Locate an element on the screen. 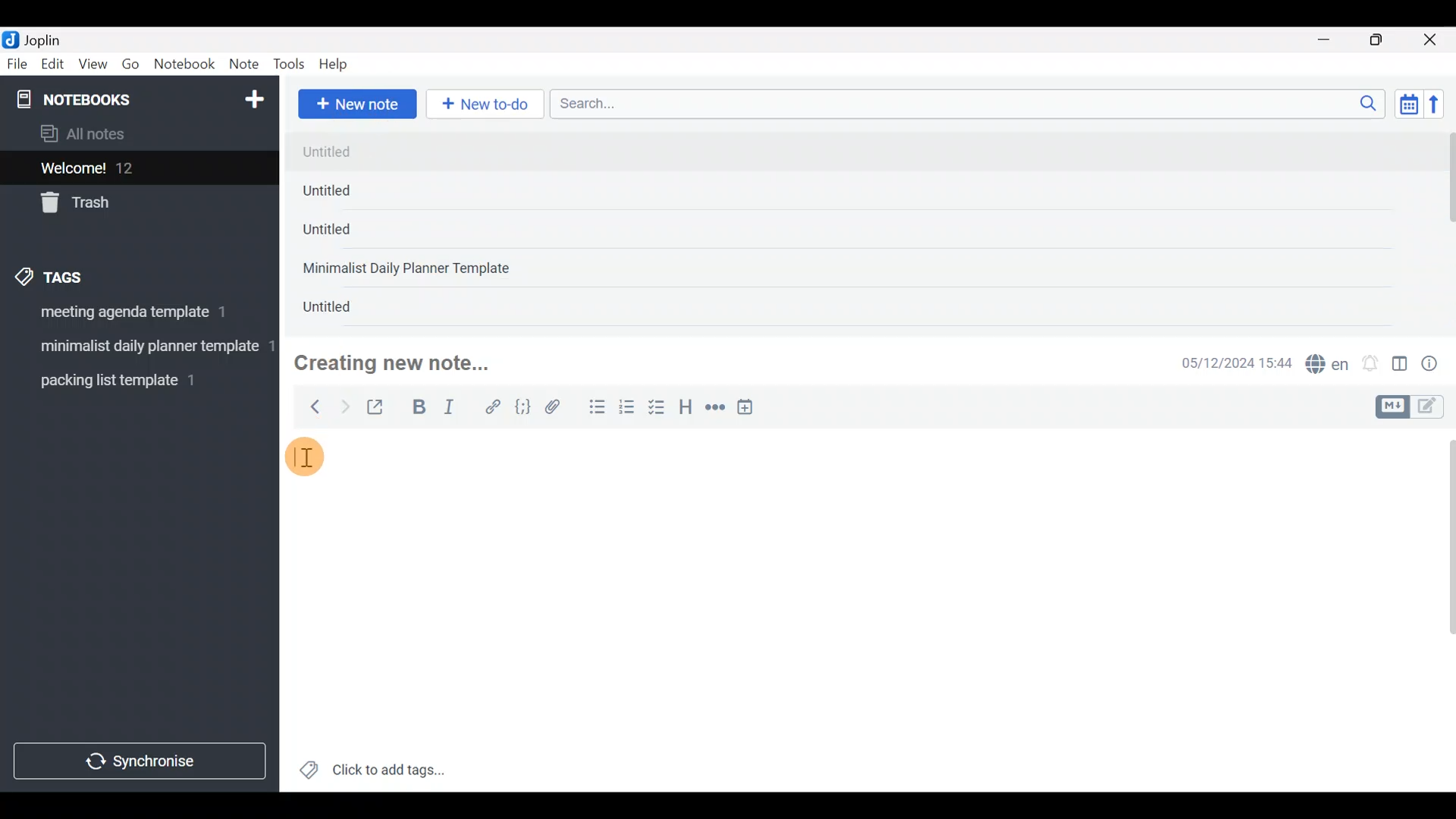 The image size is (1456, 819). Minimalist Daily Planner Template is located at coordinates (411, 270).